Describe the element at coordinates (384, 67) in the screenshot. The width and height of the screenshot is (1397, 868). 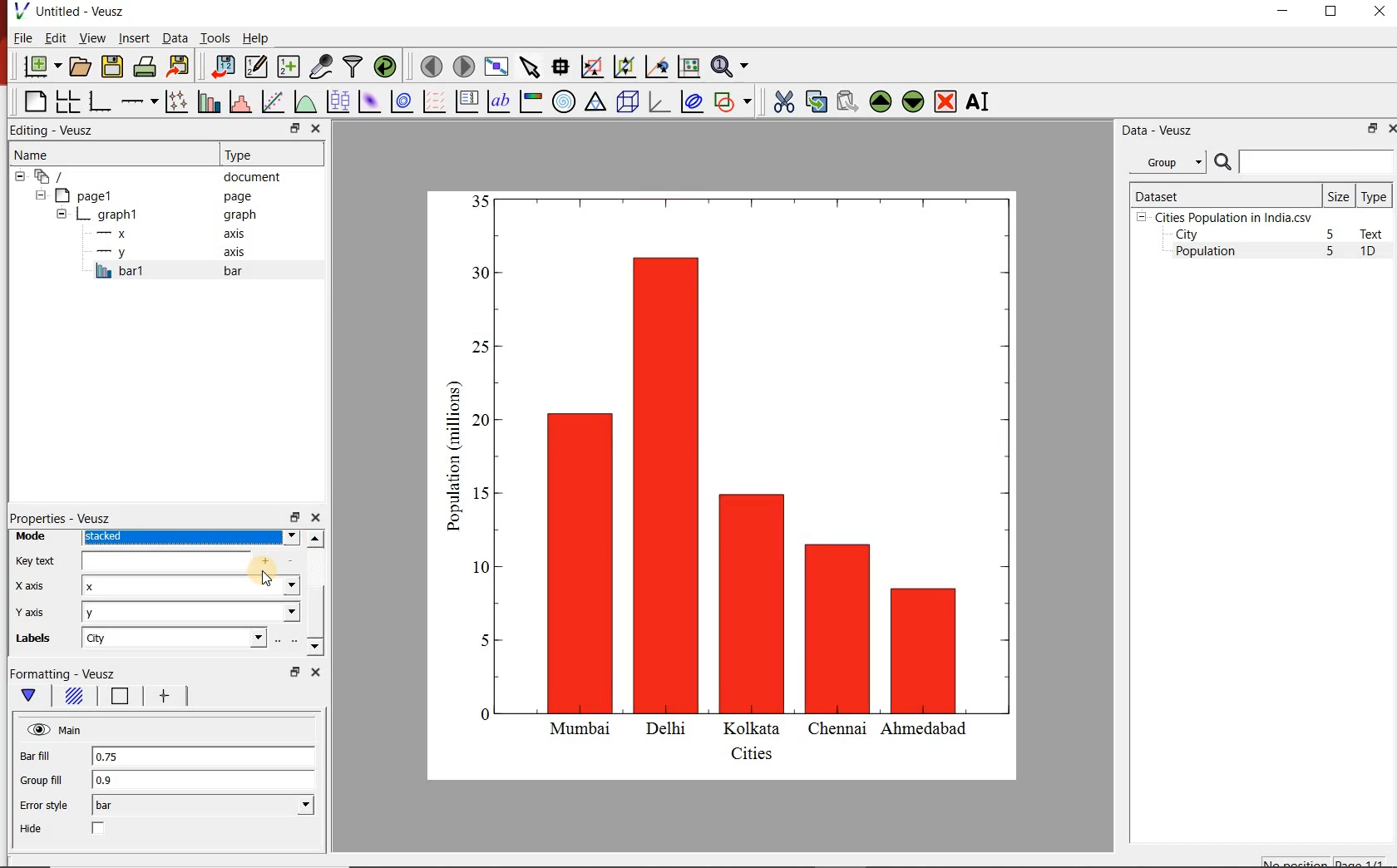
I see `reload linked datasets` at that location.